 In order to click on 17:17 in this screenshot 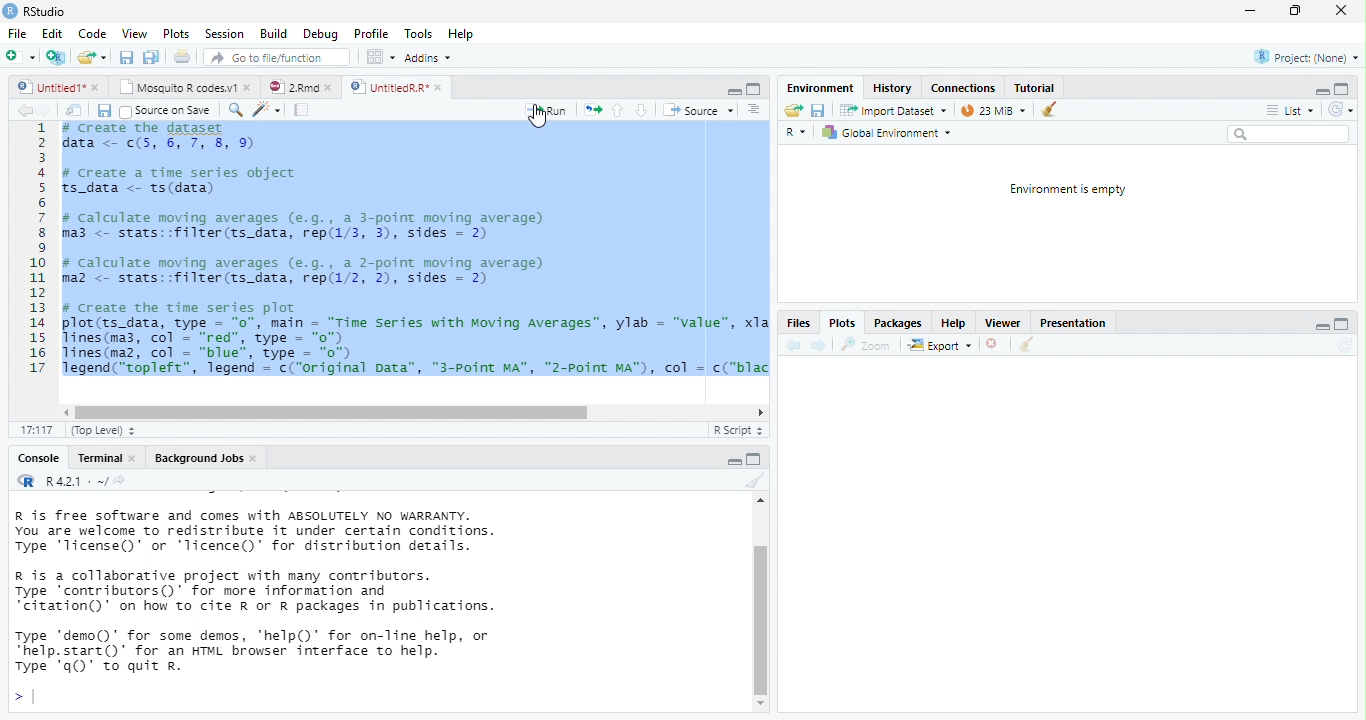, I will do `click(37, 431)`.